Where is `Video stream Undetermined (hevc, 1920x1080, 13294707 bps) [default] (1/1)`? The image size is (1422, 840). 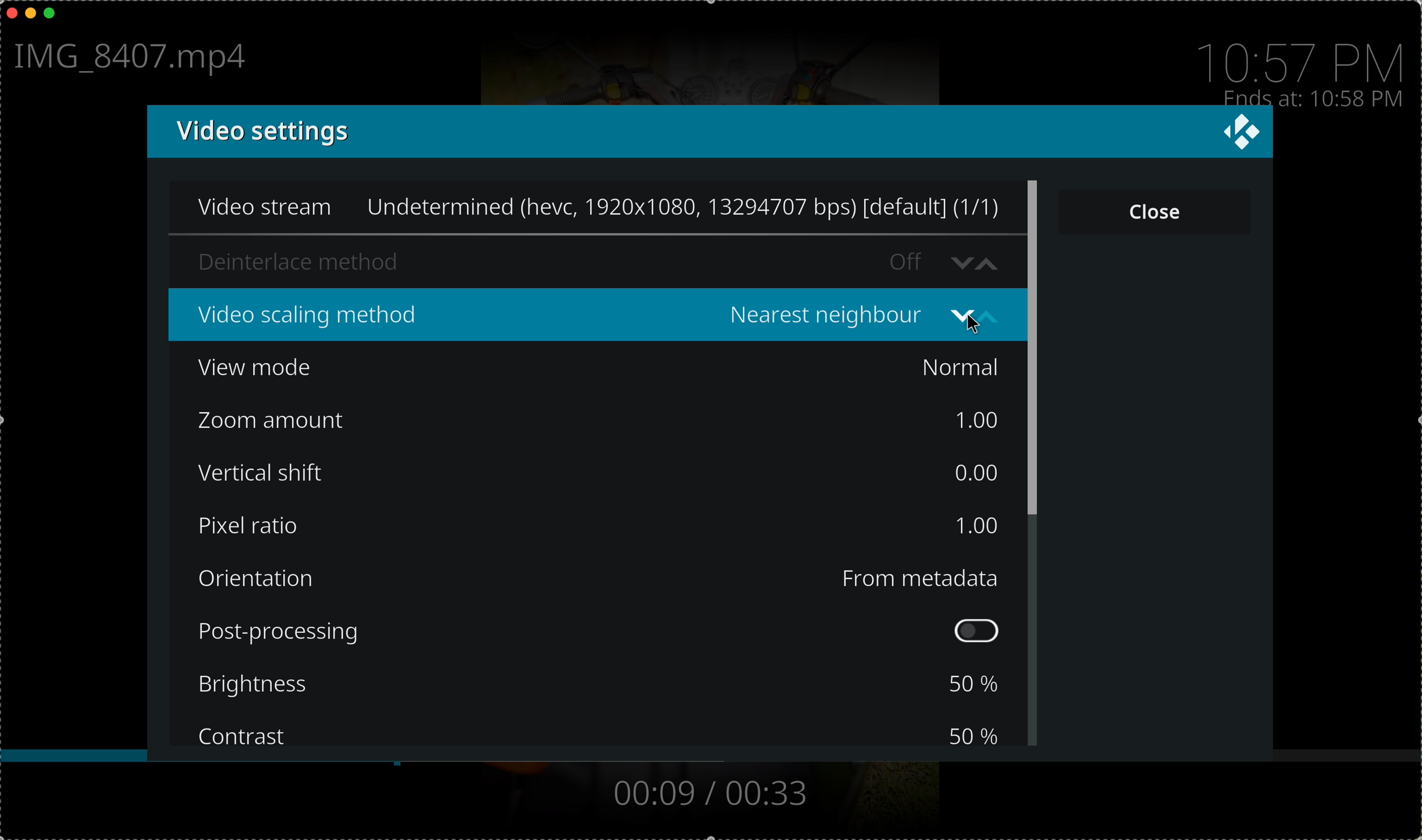 Video stream Undetermined (hevc, 1920x1080, 13294707 bps) [default] (1/1) is located at coordinates (588, 205).